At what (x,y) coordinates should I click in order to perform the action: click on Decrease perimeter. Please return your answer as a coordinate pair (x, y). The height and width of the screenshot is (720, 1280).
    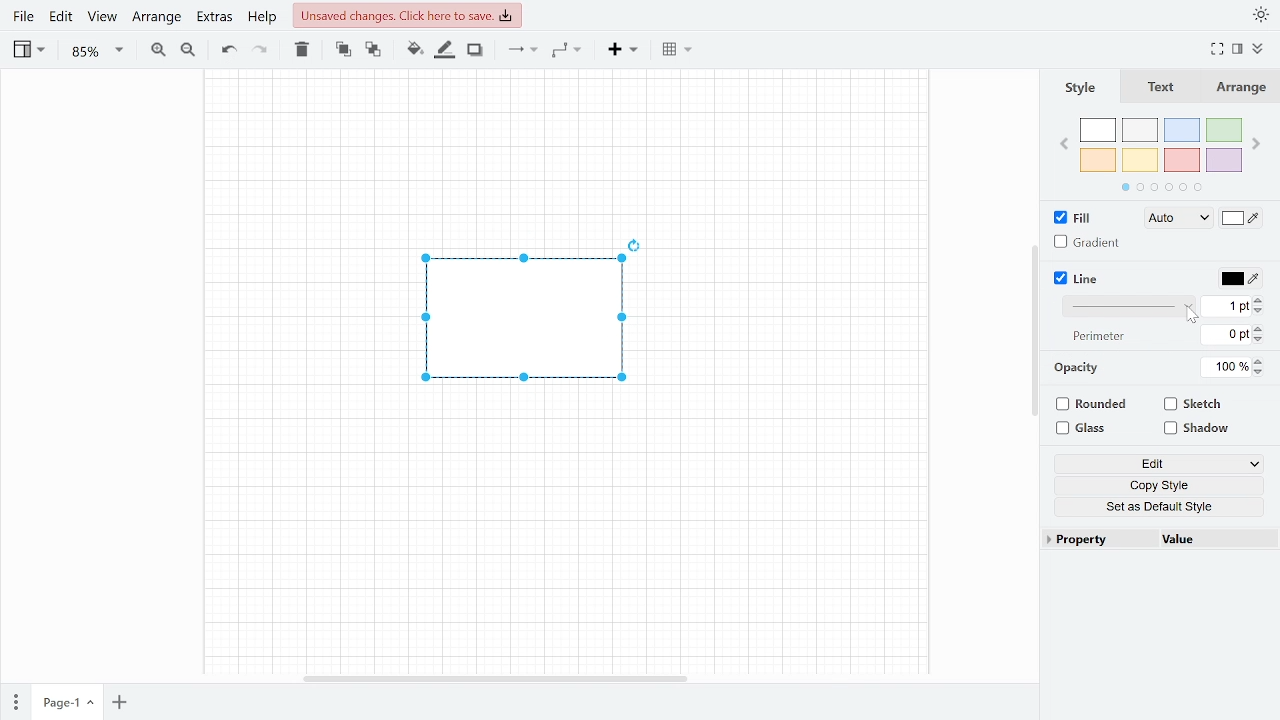
    Looking at the image, I should click on (1262, 340).